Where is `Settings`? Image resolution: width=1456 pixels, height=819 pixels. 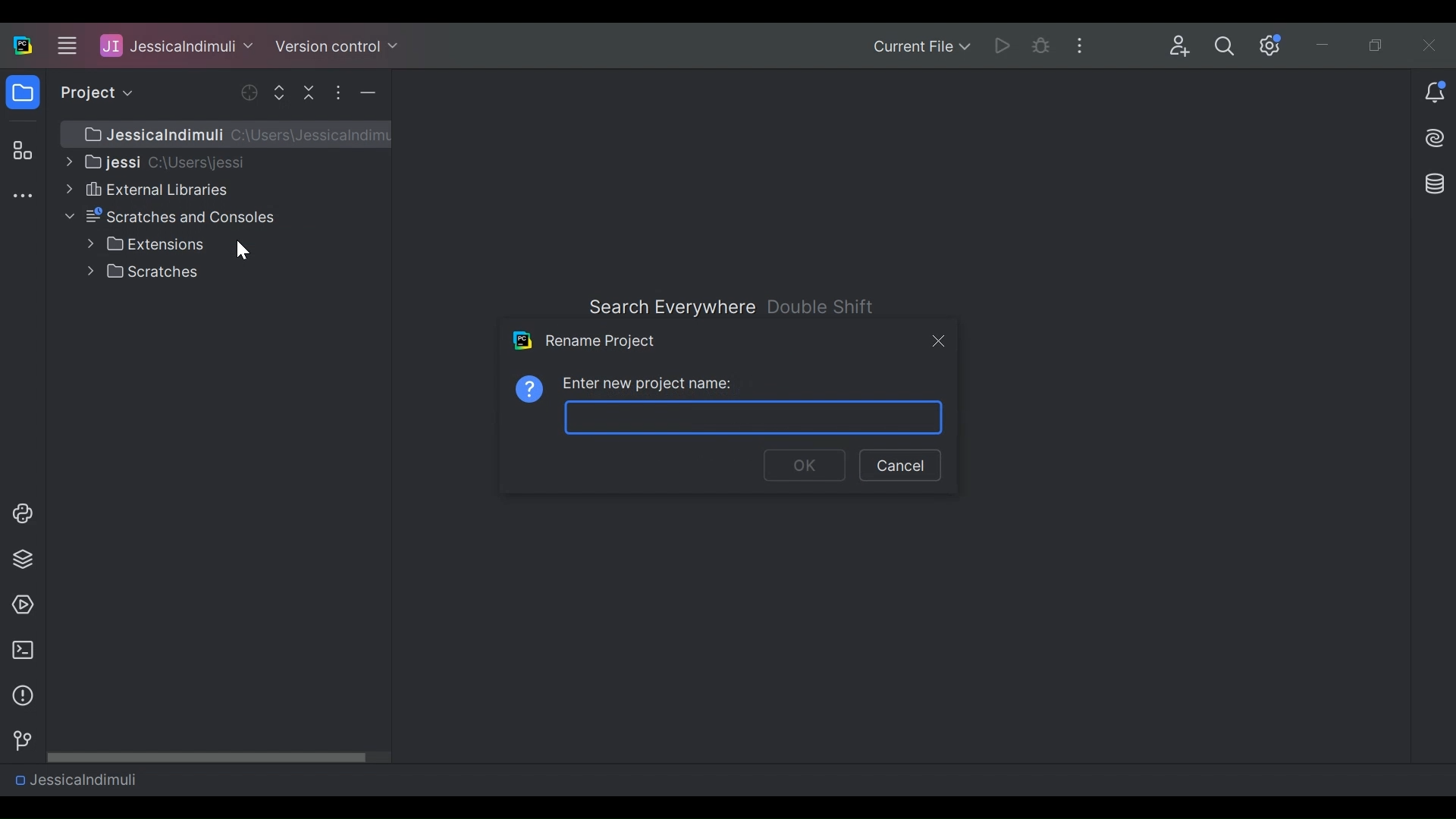 Settings is located at coordinates (1271, 45).